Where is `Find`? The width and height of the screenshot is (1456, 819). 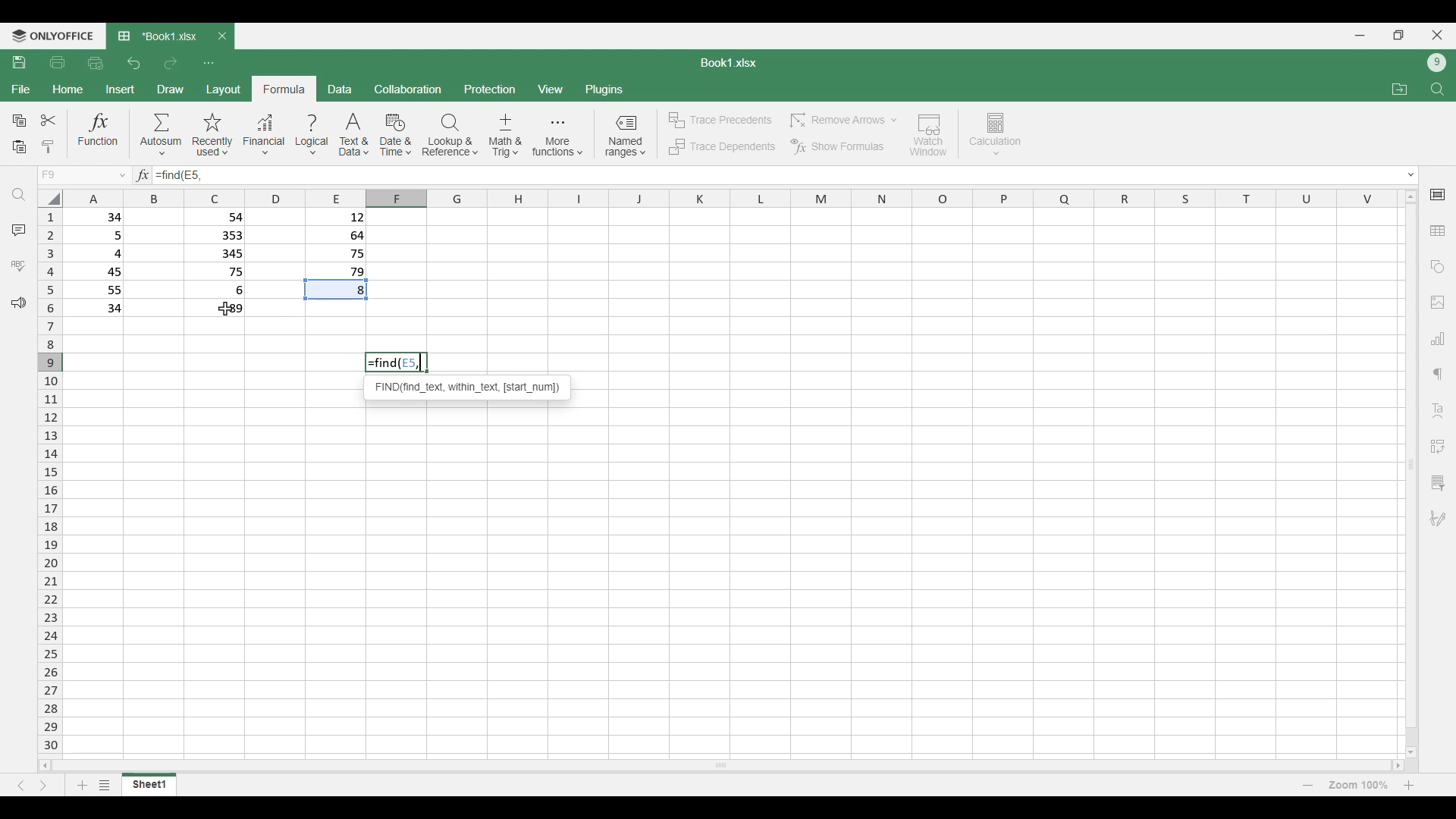 Find is located at coordinates (19, 195).